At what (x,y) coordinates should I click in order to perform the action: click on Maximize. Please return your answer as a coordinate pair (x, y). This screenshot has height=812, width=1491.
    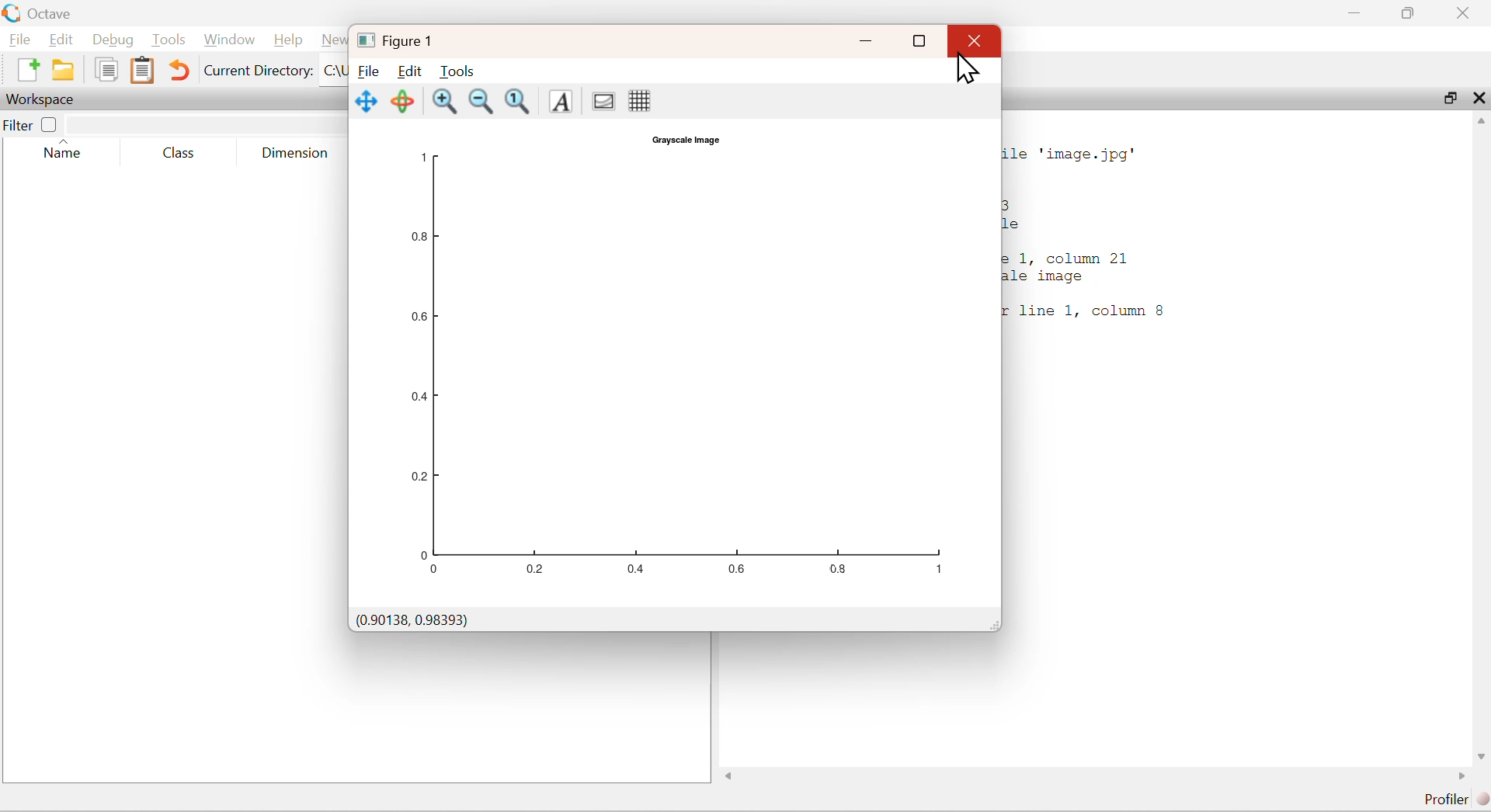
    Looking at the image, I should click on (919, 42).